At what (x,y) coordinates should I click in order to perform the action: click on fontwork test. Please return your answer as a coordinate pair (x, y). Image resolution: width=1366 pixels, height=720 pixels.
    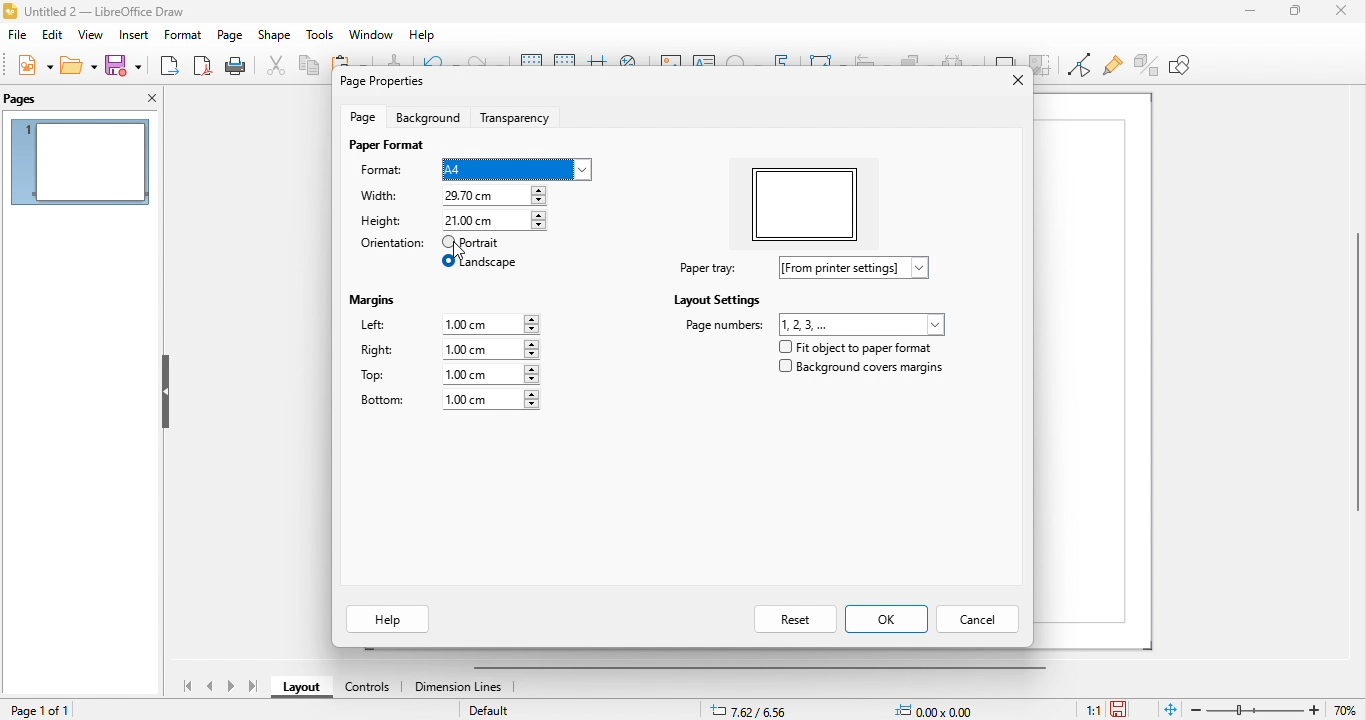
    Looking at the image, I should click on (781, 64).